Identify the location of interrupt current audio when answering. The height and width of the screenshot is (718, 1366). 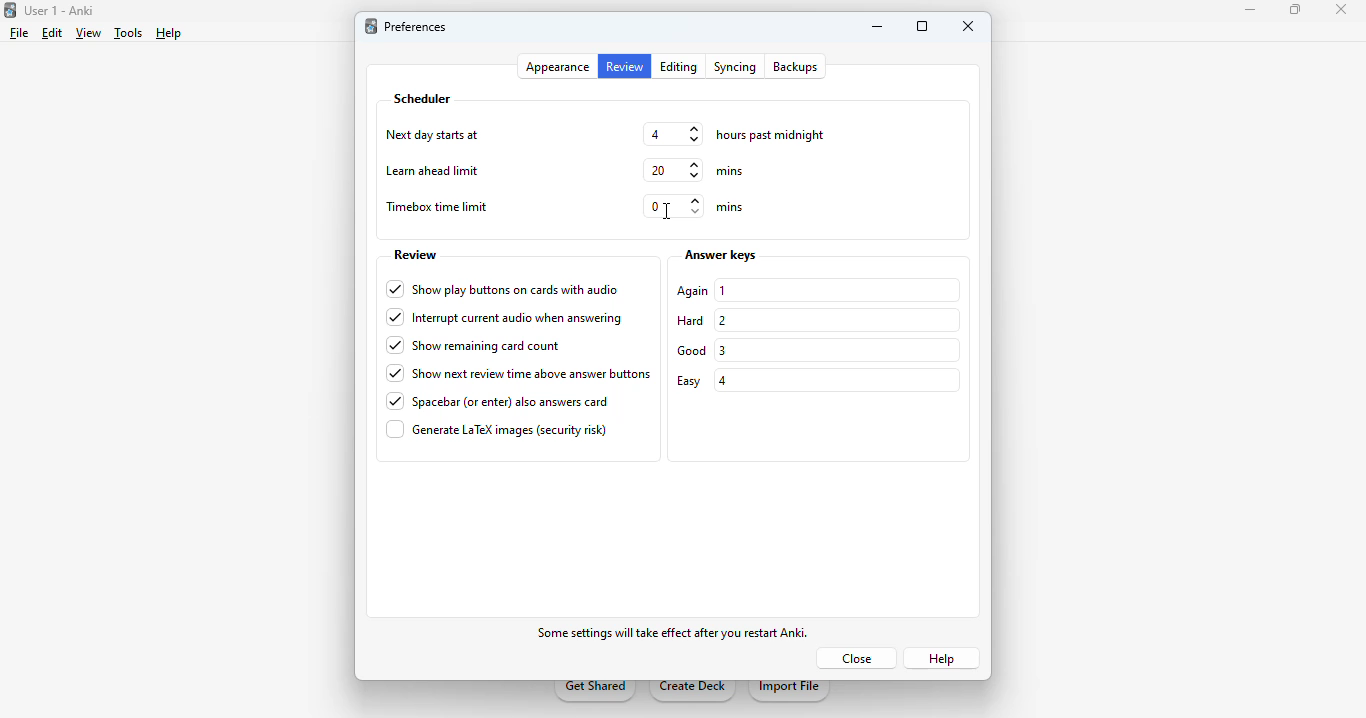
(506, 317).